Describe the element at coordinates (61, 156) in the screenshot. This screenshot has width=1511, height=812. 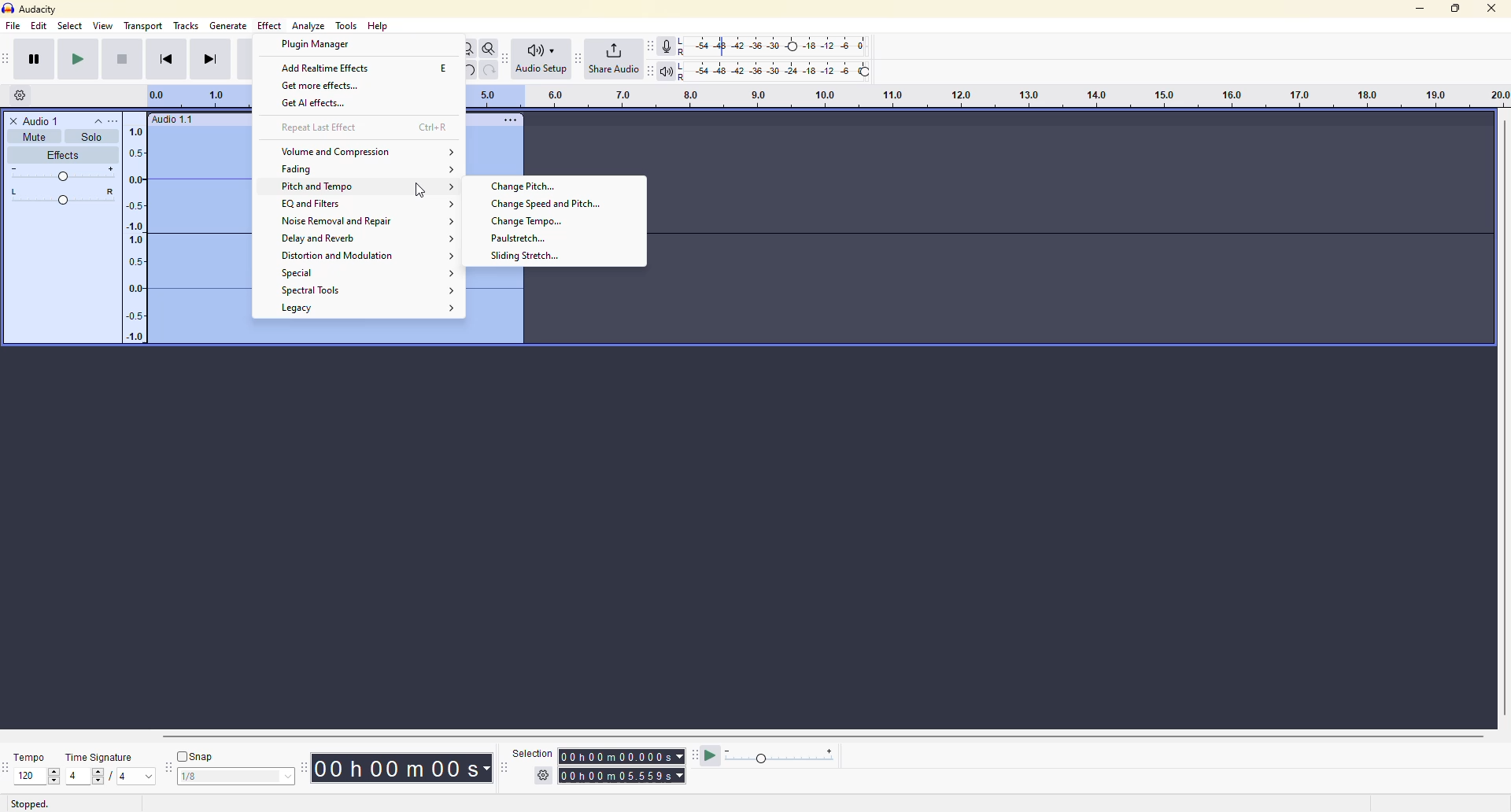
I see `effects` at that location.